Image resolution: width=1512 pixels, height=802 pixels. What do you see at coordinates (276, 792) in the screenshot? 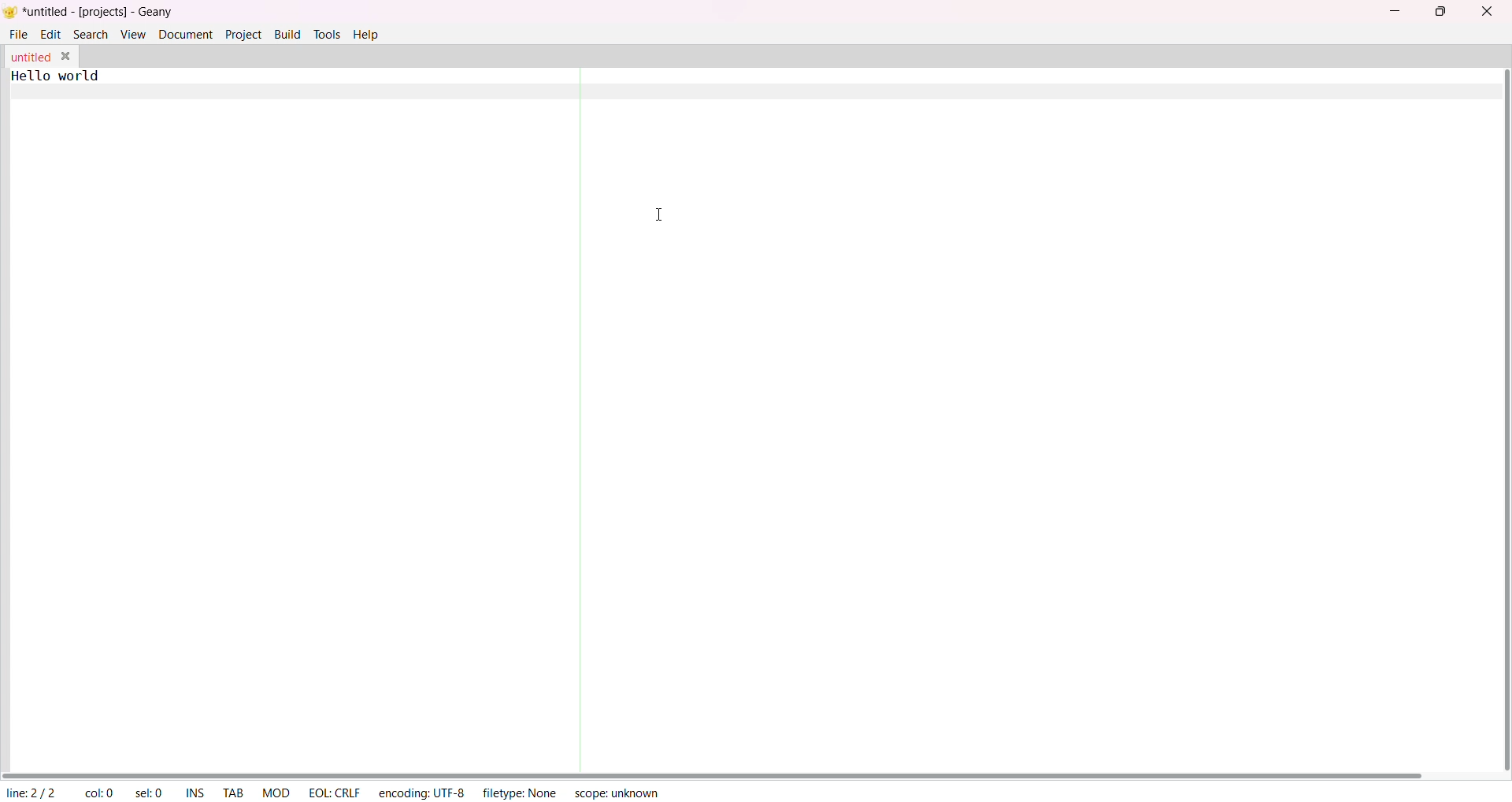
I see `mod` at bounding box center [276, 792].